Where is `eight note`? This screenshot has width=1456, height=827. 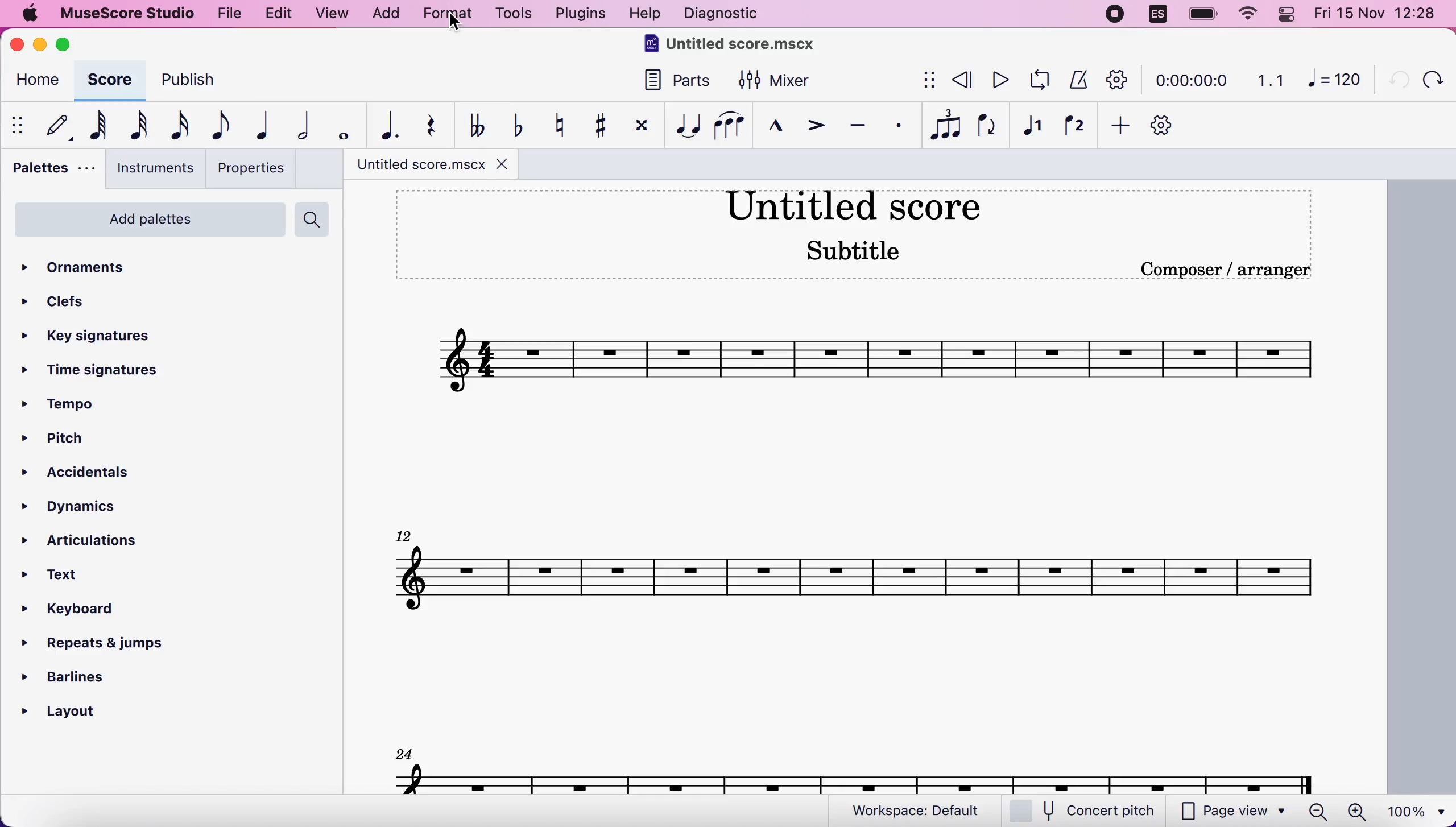 eight note is located at coordinates (218, 125).